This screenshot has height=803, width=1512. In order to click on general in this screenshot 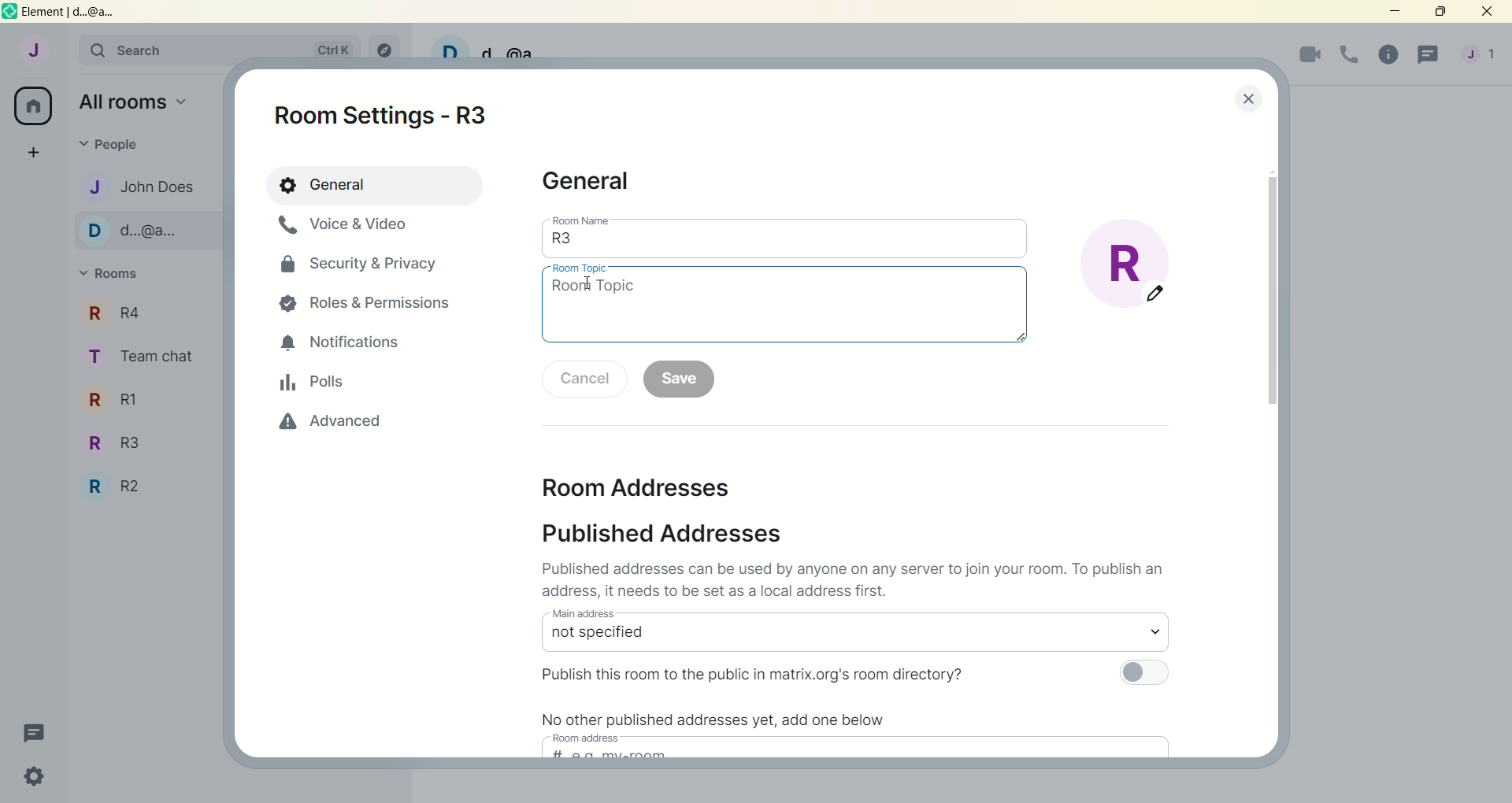, I will do `click(588, 182)`.